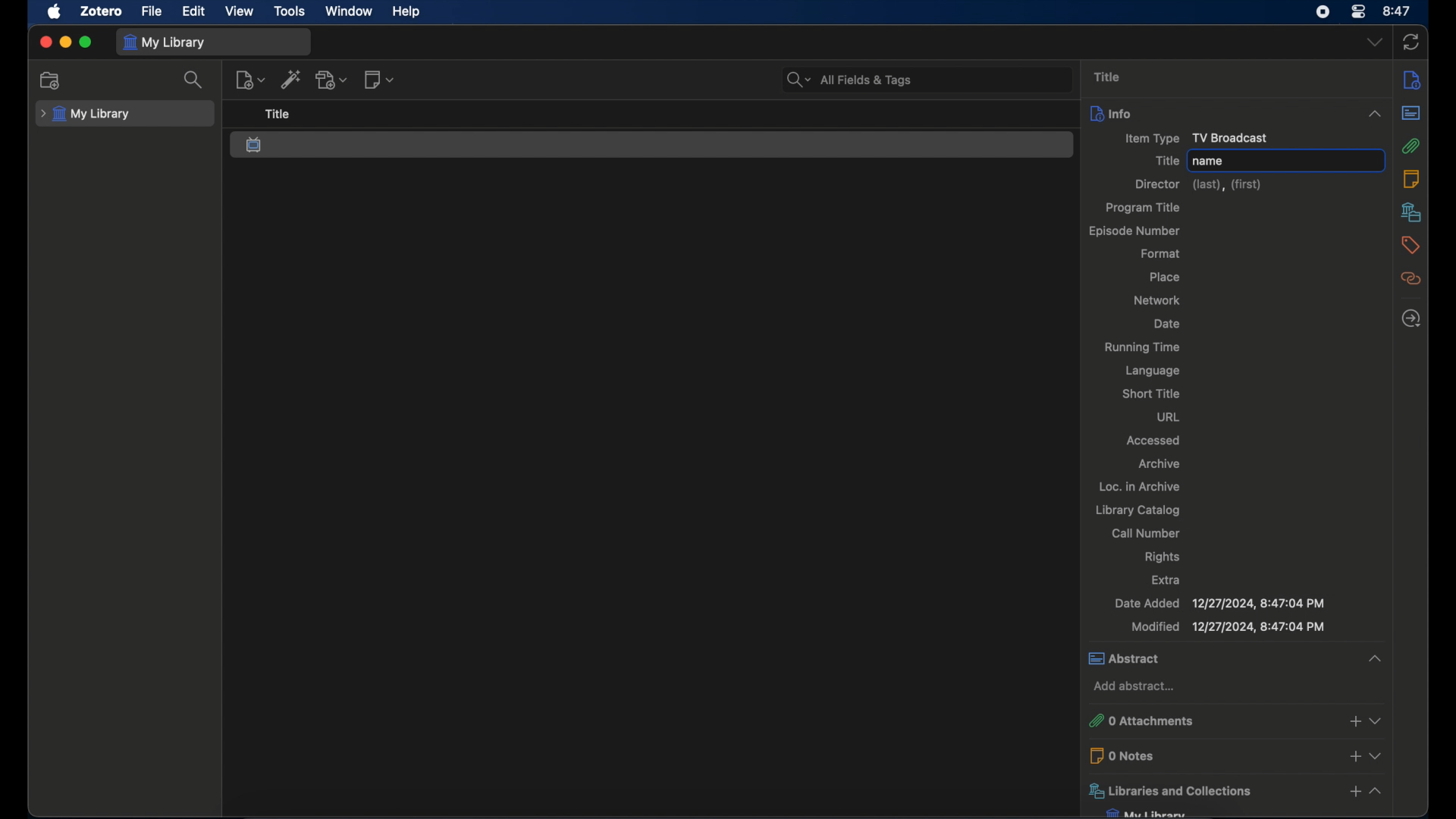 This screenshot has width=1456, height=819. I want to click on language, so click(1150, 371).